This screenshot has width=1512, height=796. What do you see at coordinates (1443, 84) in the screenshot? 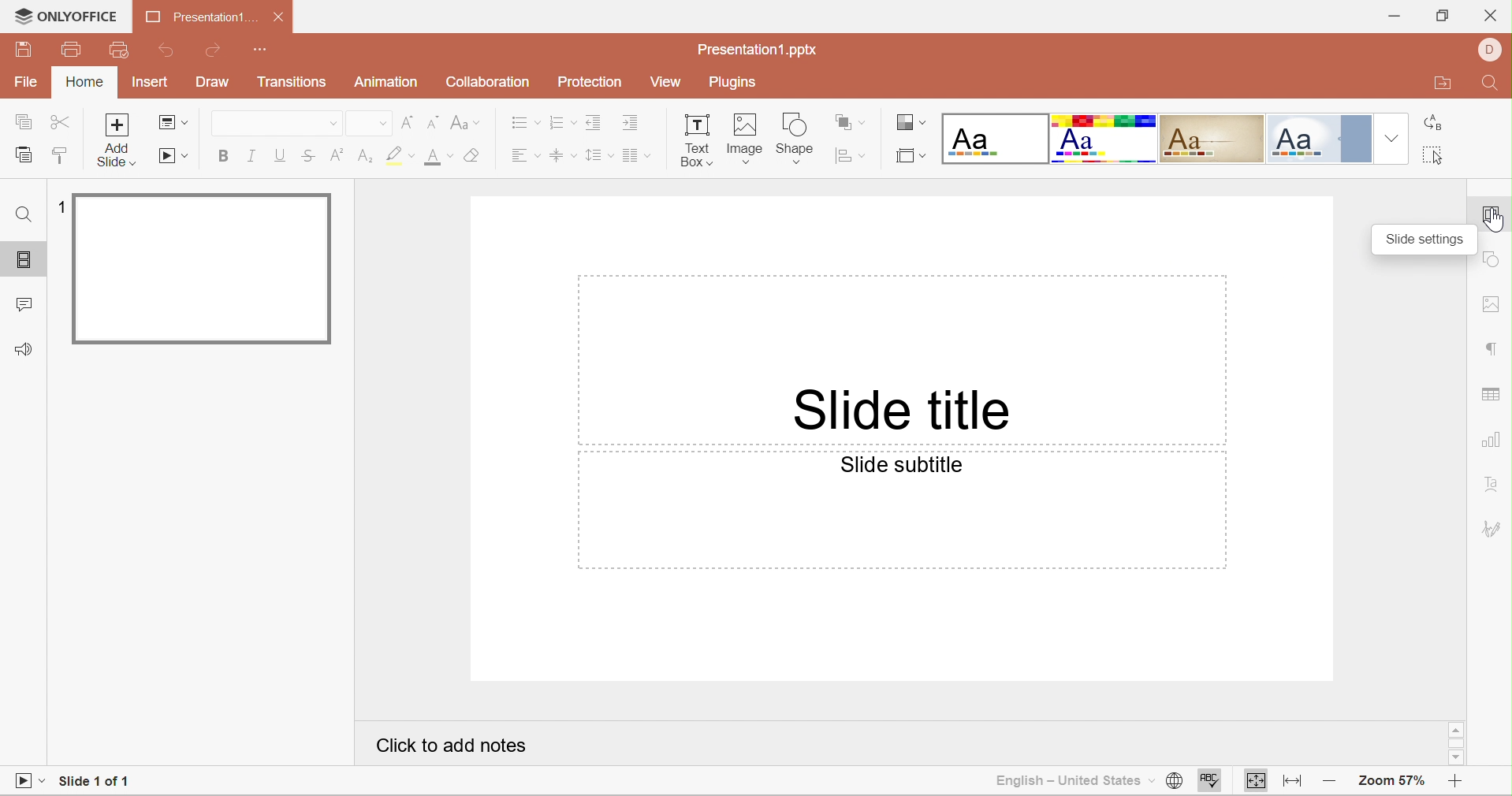
I see `Open file location` at bounding box center [1443, 84].